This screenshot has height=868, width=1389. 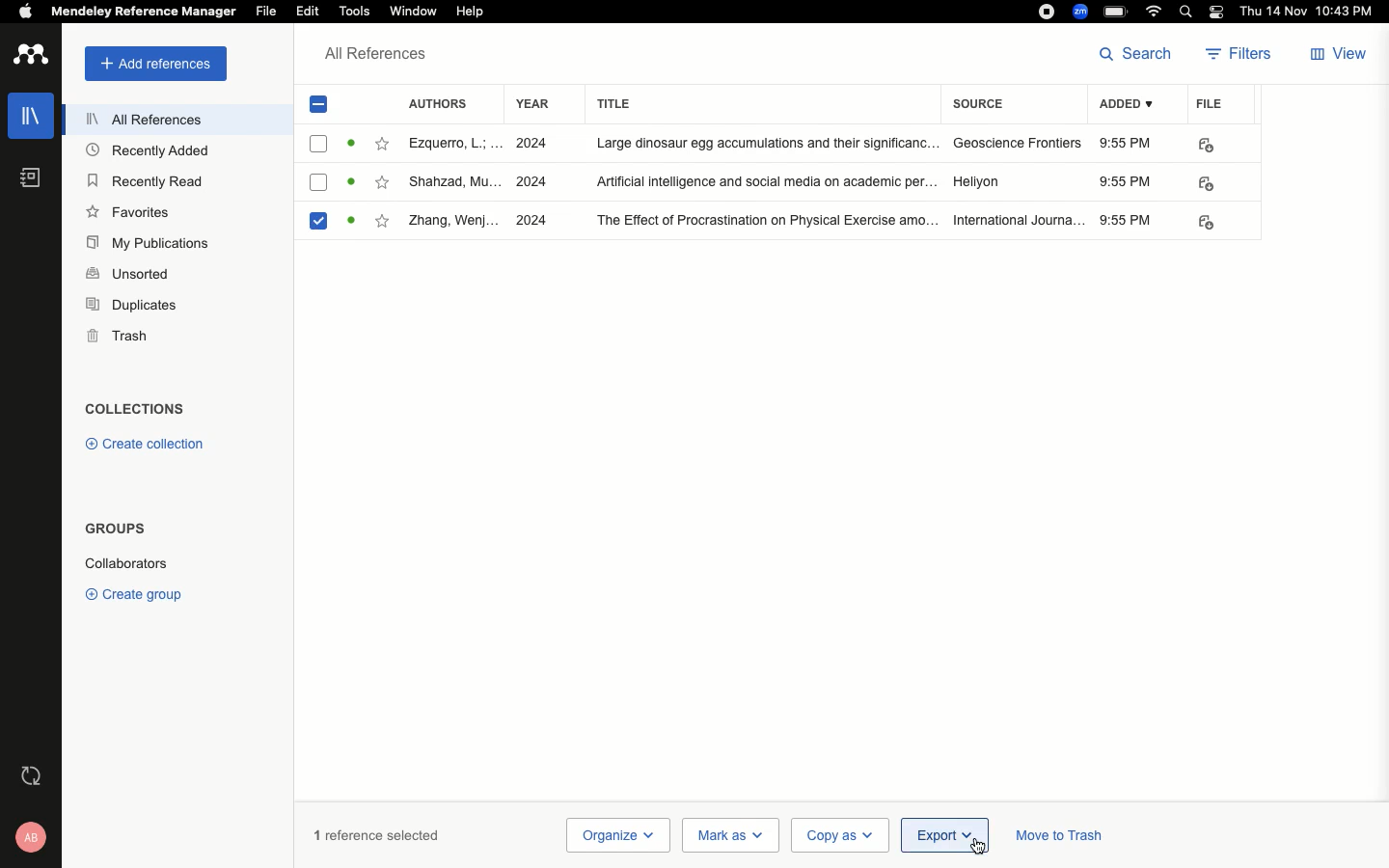 What do you see at coordinates (1117, 14) in the screenshot?
I see `Charge` at bounding box center [1117, 14].